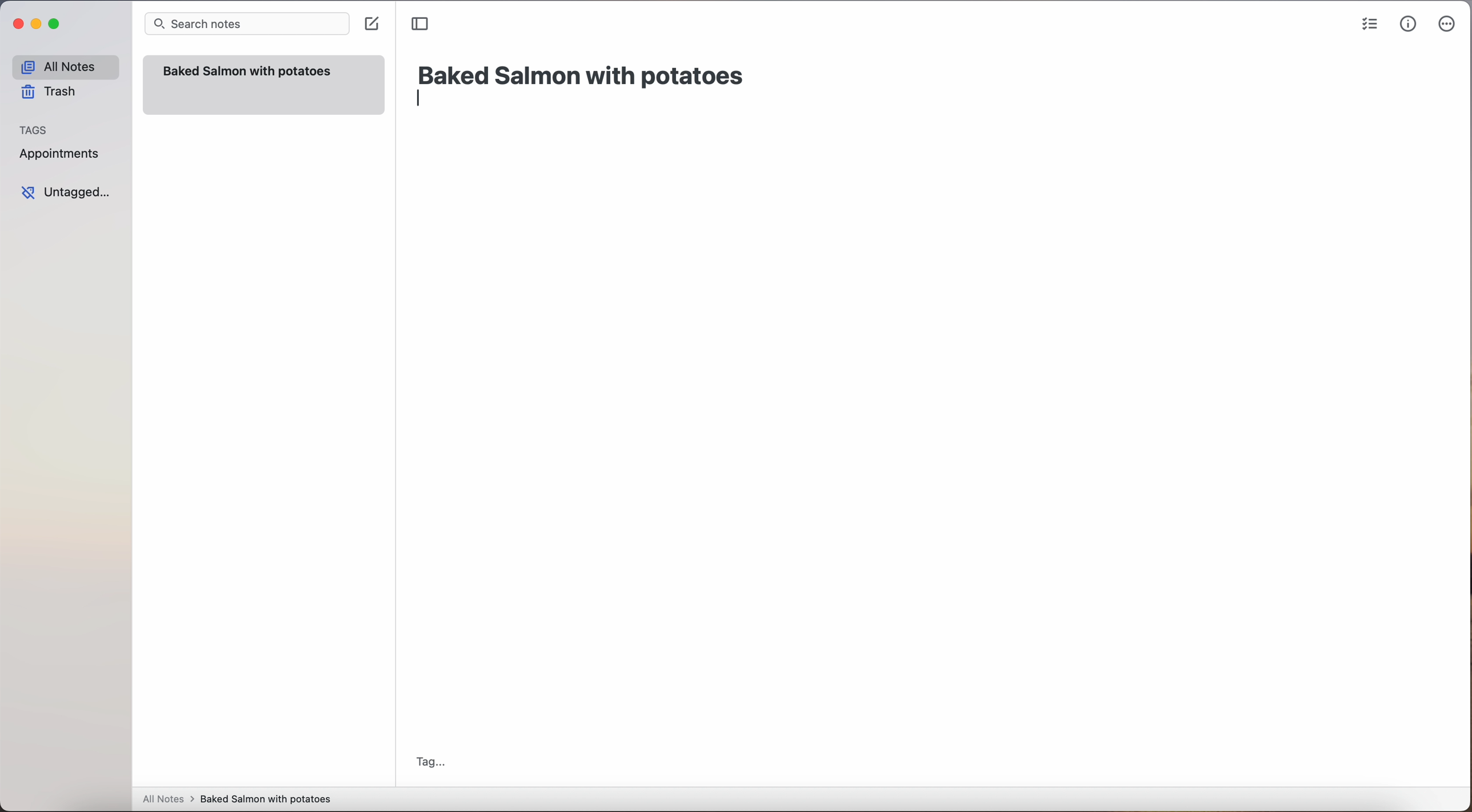 Image resolution: width=1472 pixels, height=812 pixels. I want to click on create note, so click(371, 24).